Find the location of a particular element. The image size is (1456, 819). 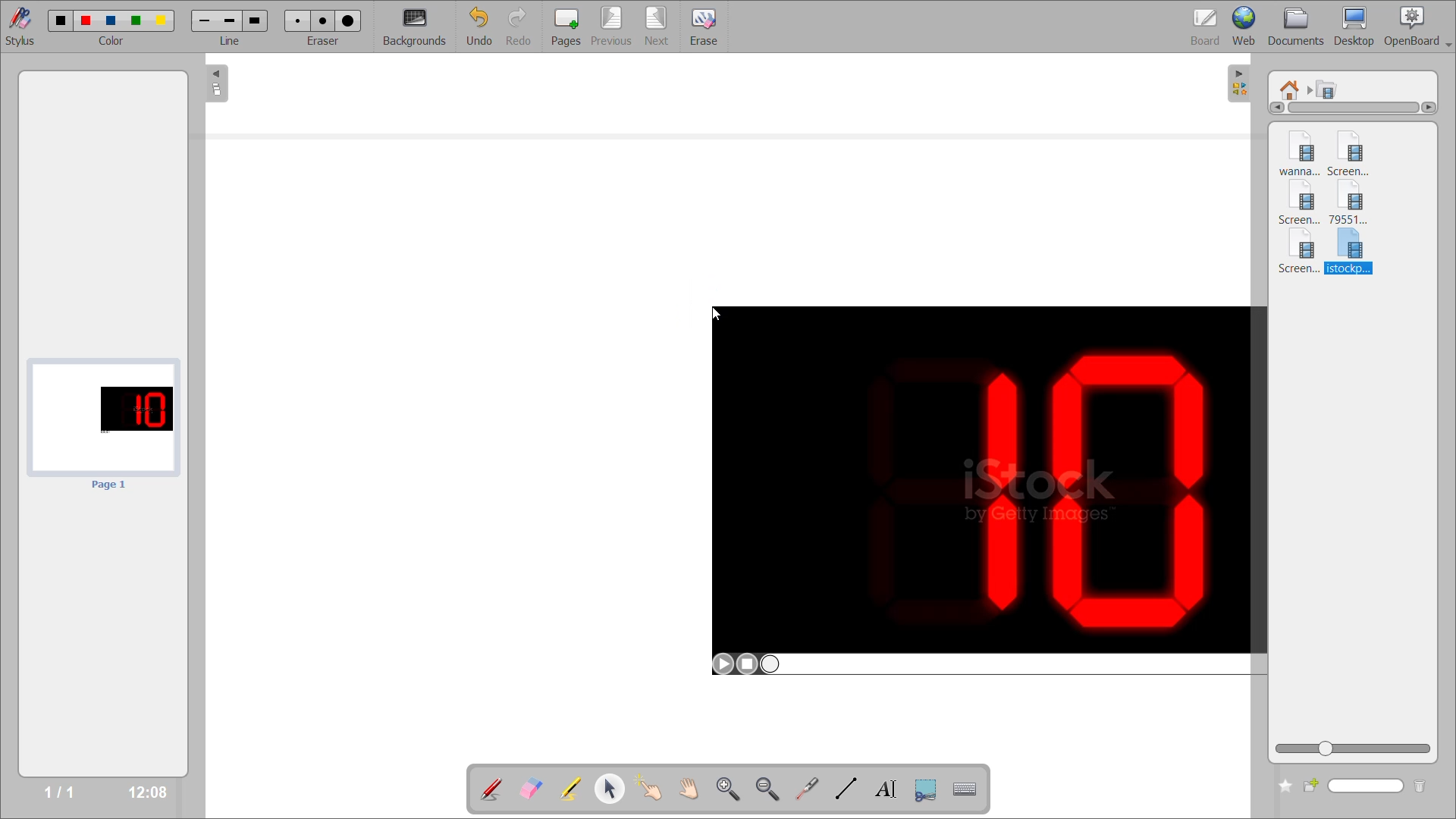

previous is located at coordinates (609, 27).